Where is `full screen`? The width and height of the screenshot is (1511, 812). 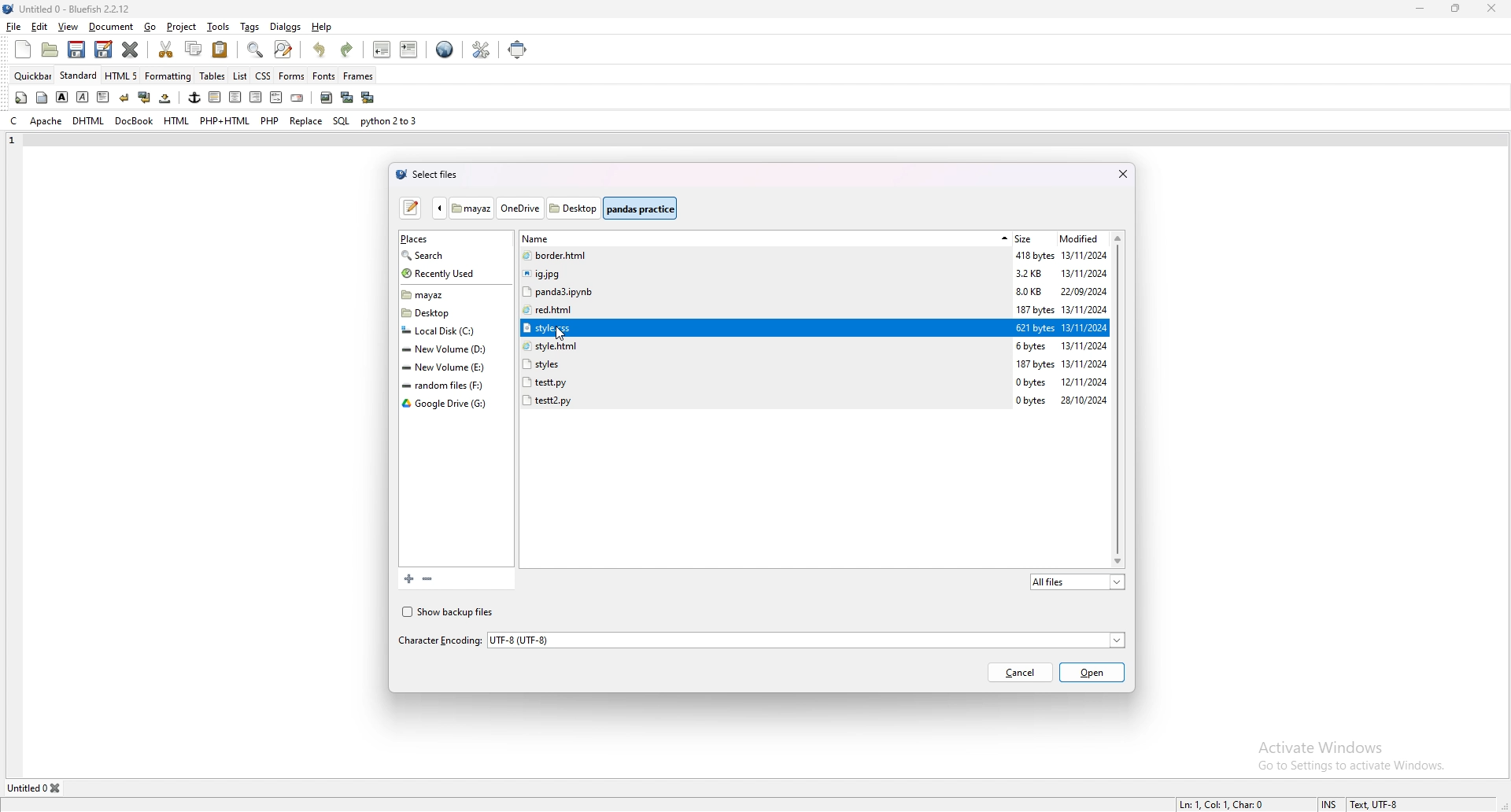
full screen is located at coordinates (518, 50).